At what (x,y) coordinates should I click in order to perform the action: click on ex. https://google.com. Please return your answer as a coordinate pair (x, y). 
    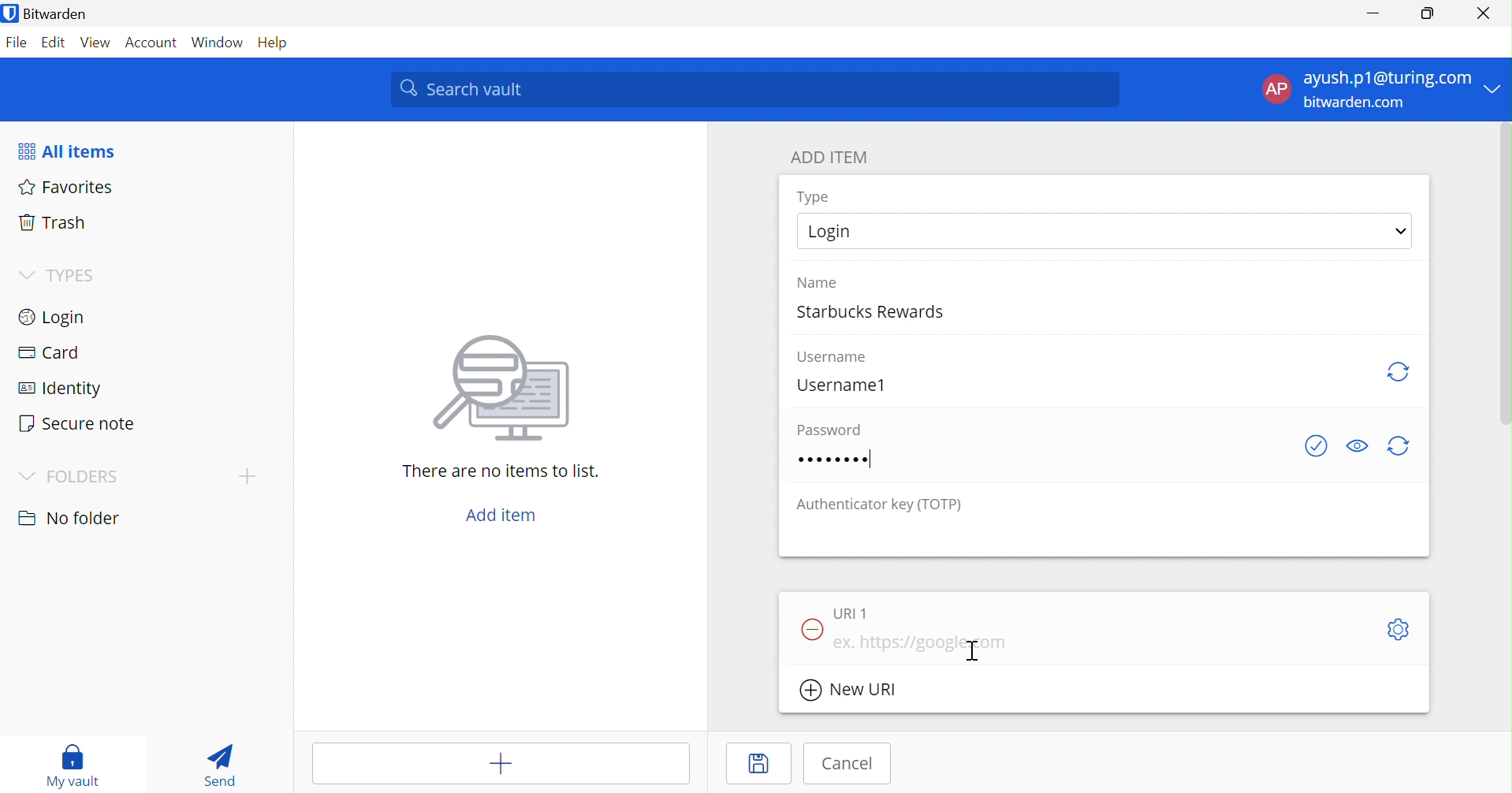
    Looking at the image, I should click on (931, 643).